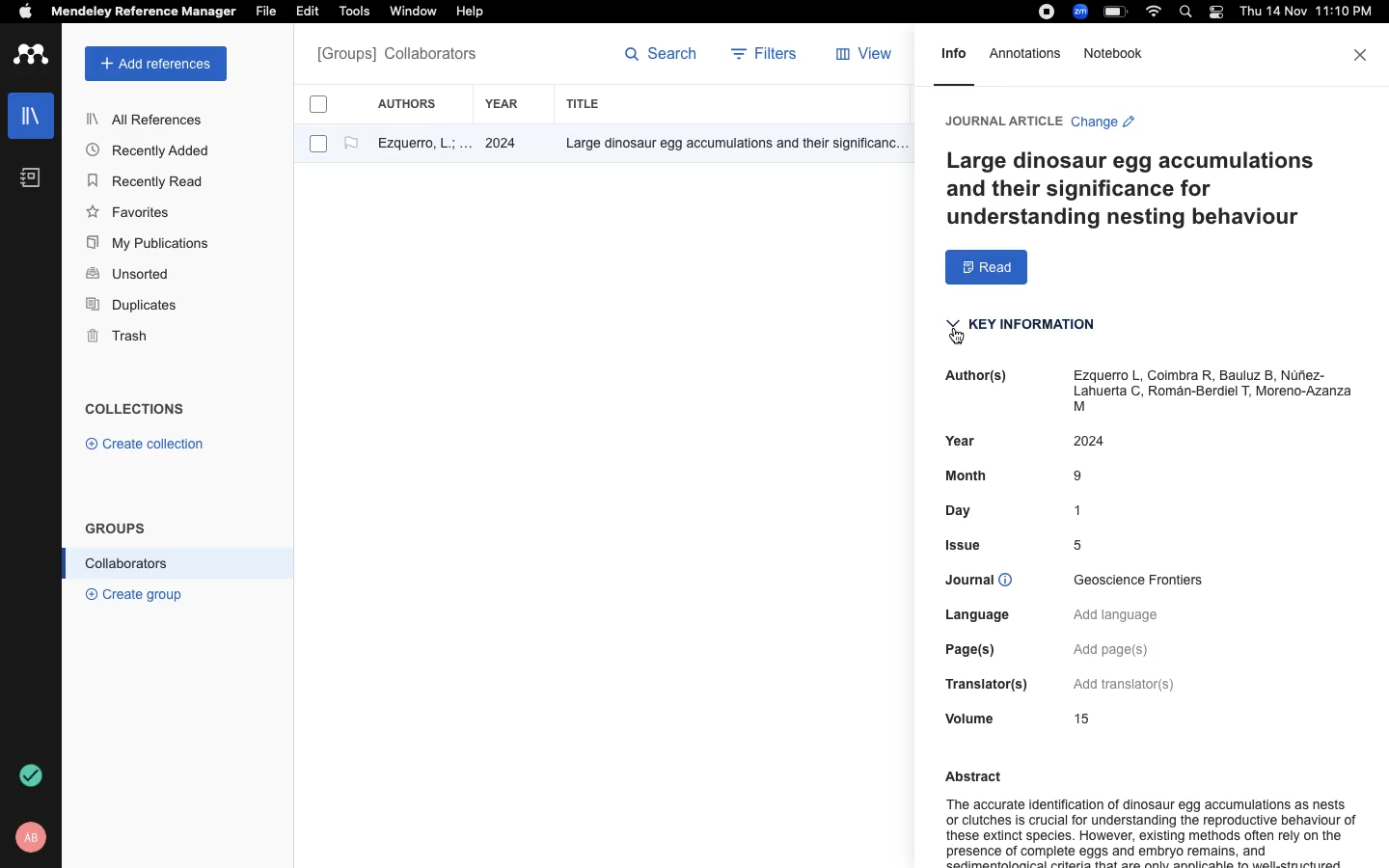 The image size is (1389, 868). I want to click on wifi, so click(1157, 12).